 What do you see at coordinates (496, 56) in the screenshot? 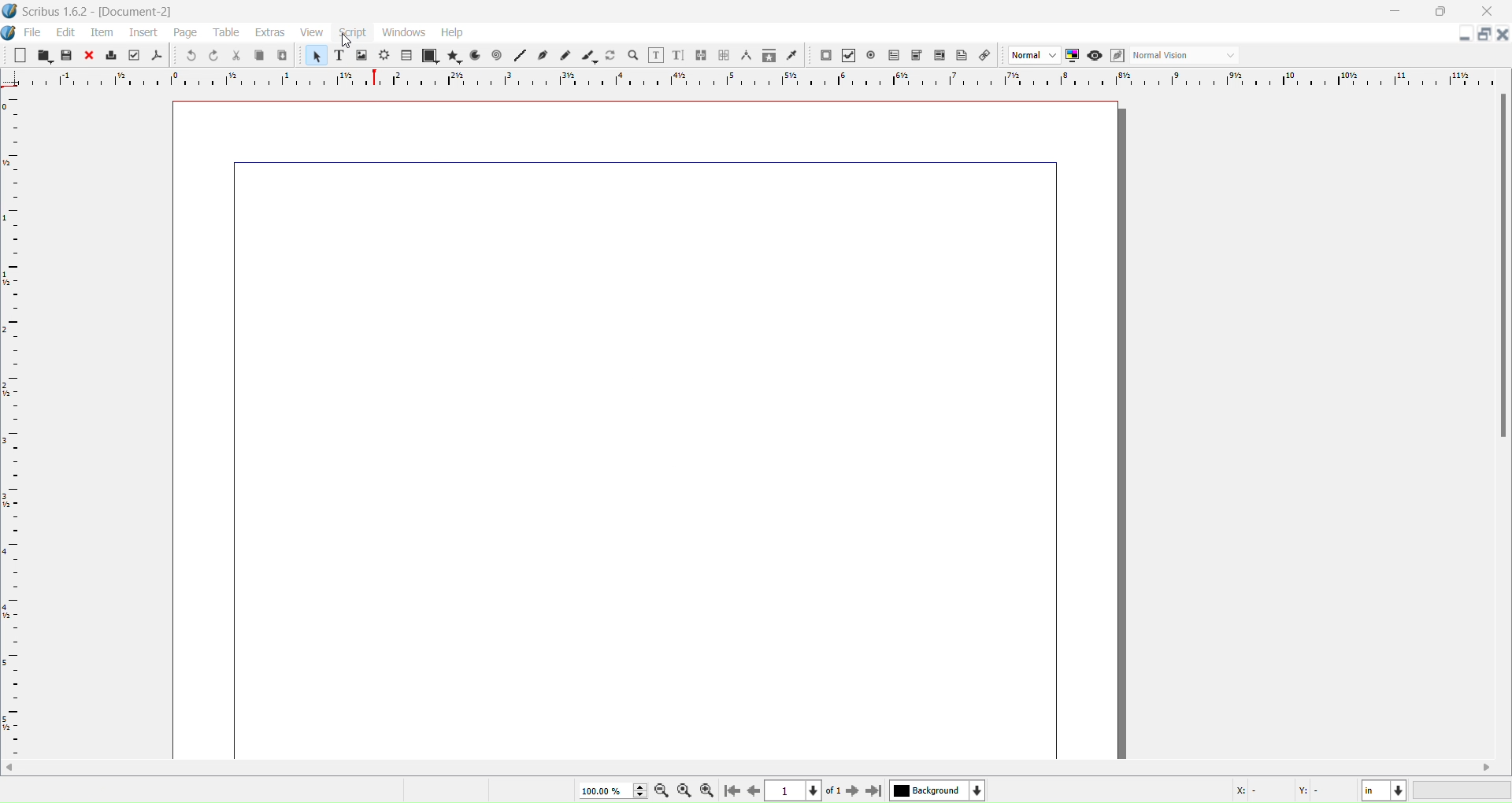
I see `Spiral` at bounding box center [496, 56].